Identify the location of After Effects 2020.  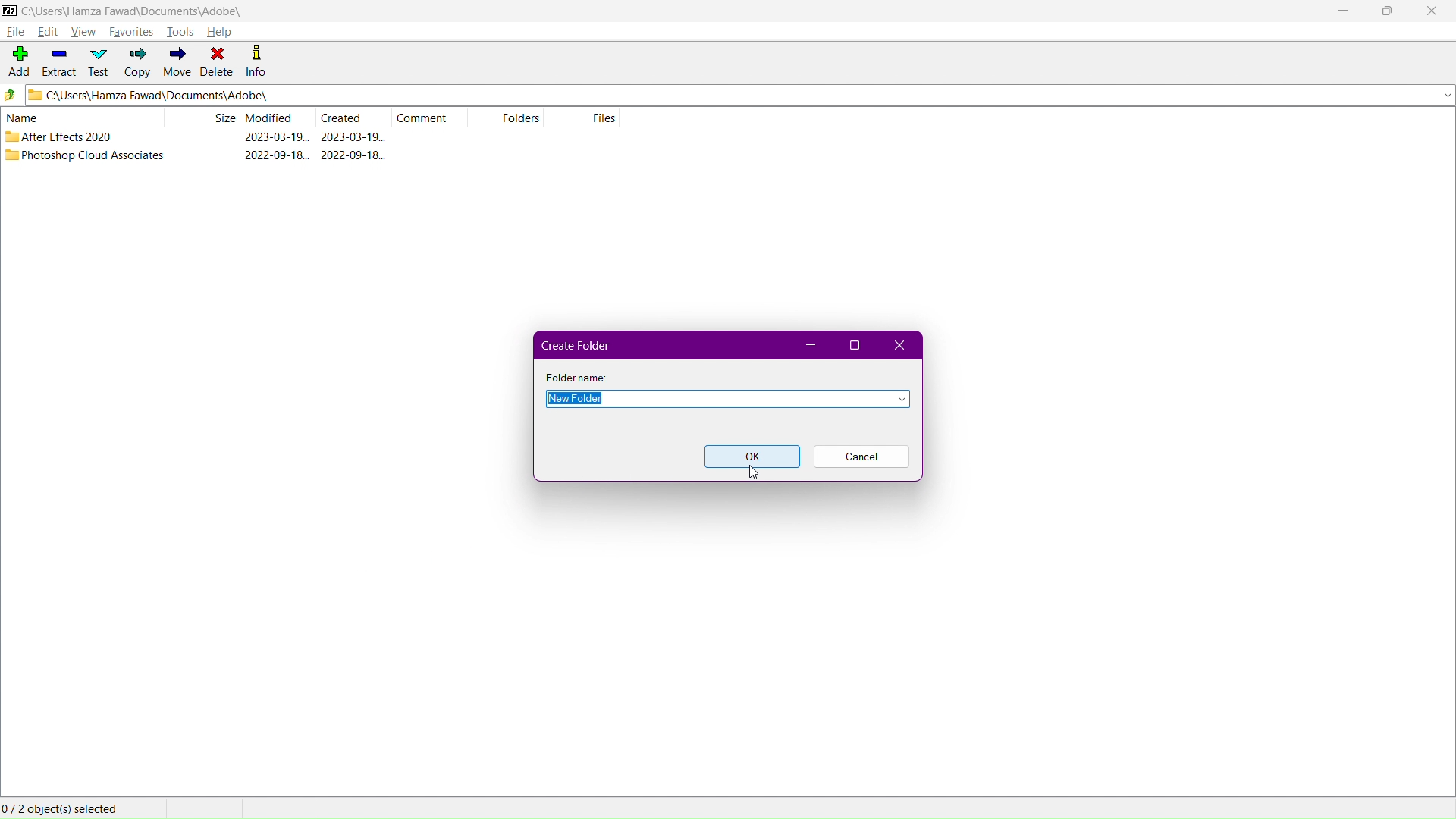
(71, 136).